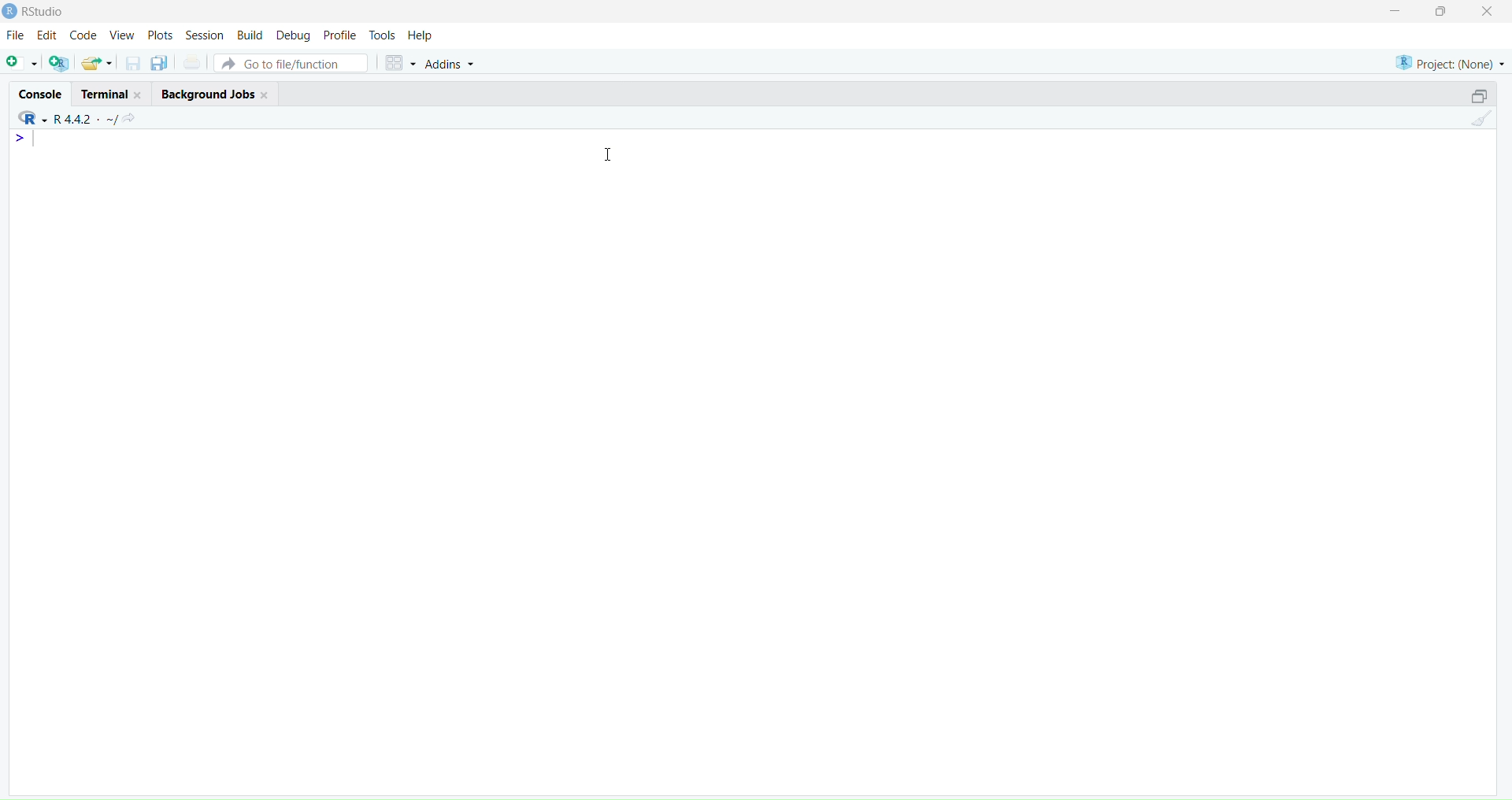  I want to click on maximise, so click(1471, 94).